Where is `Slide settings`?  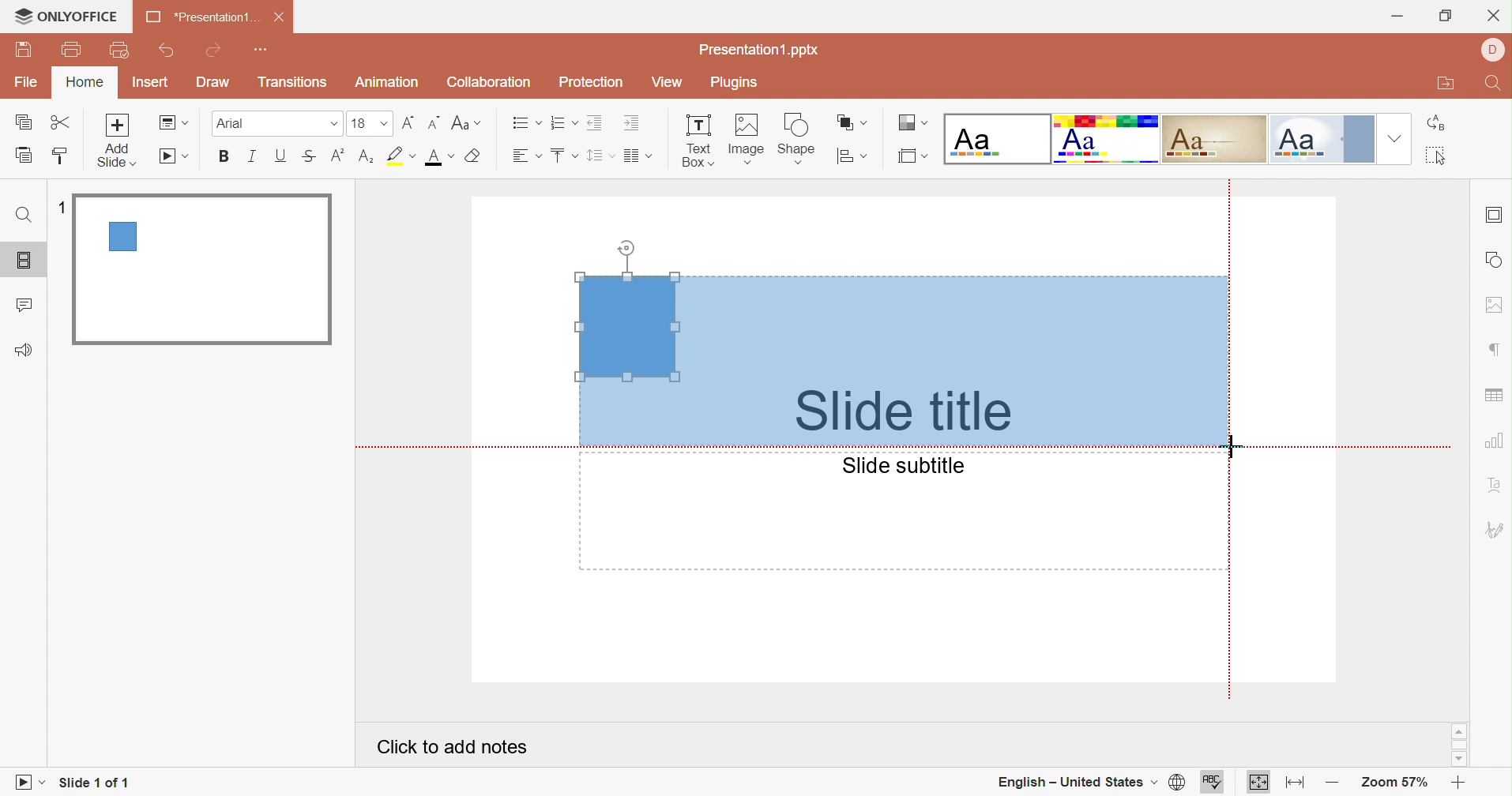 Slide settings is located at coordinates (1495, 212).